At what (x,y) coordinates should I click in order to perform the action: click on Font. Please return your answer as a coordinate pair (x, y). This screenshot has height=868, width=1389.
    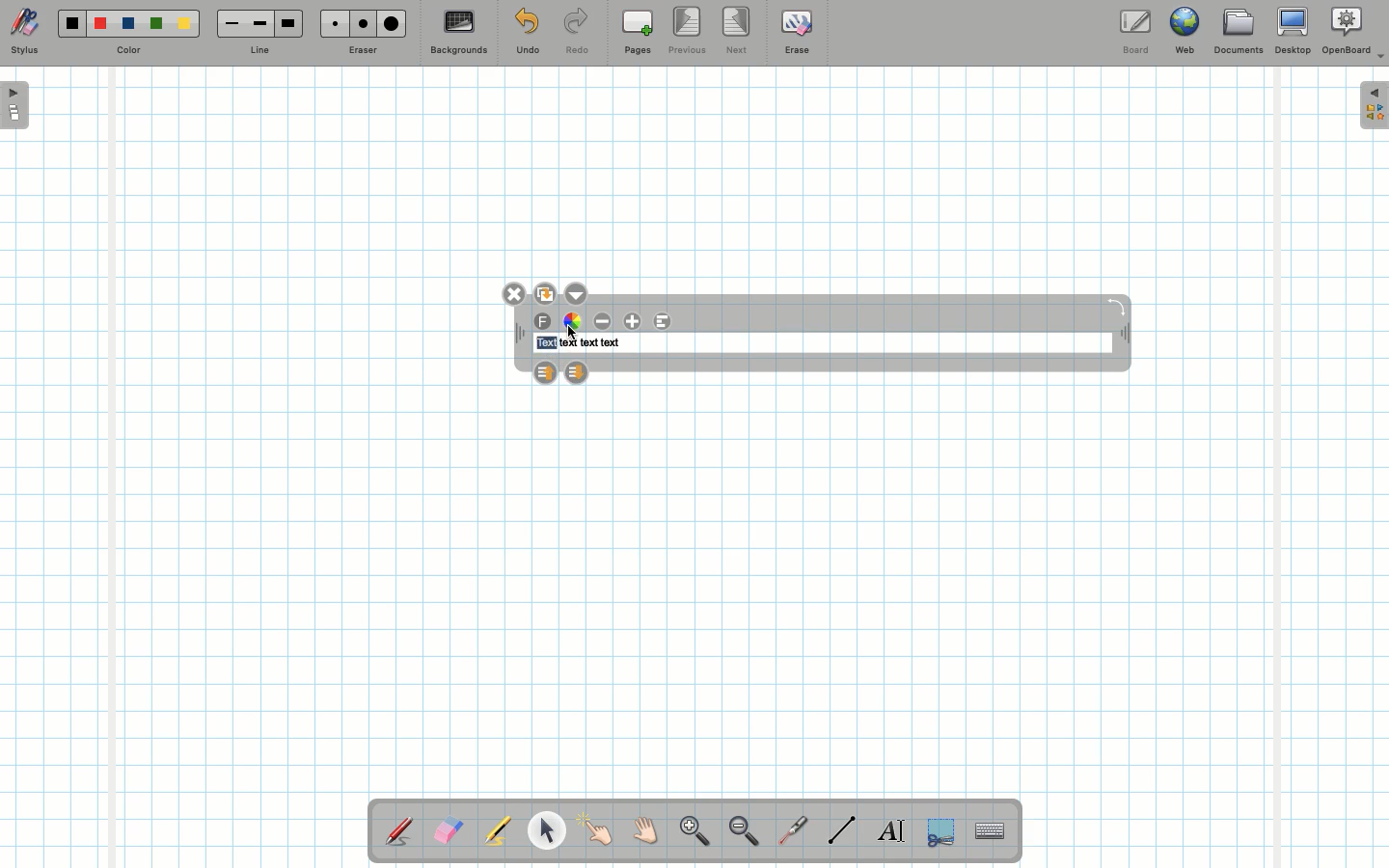
    Looking at the image, I should click on (544, 322).